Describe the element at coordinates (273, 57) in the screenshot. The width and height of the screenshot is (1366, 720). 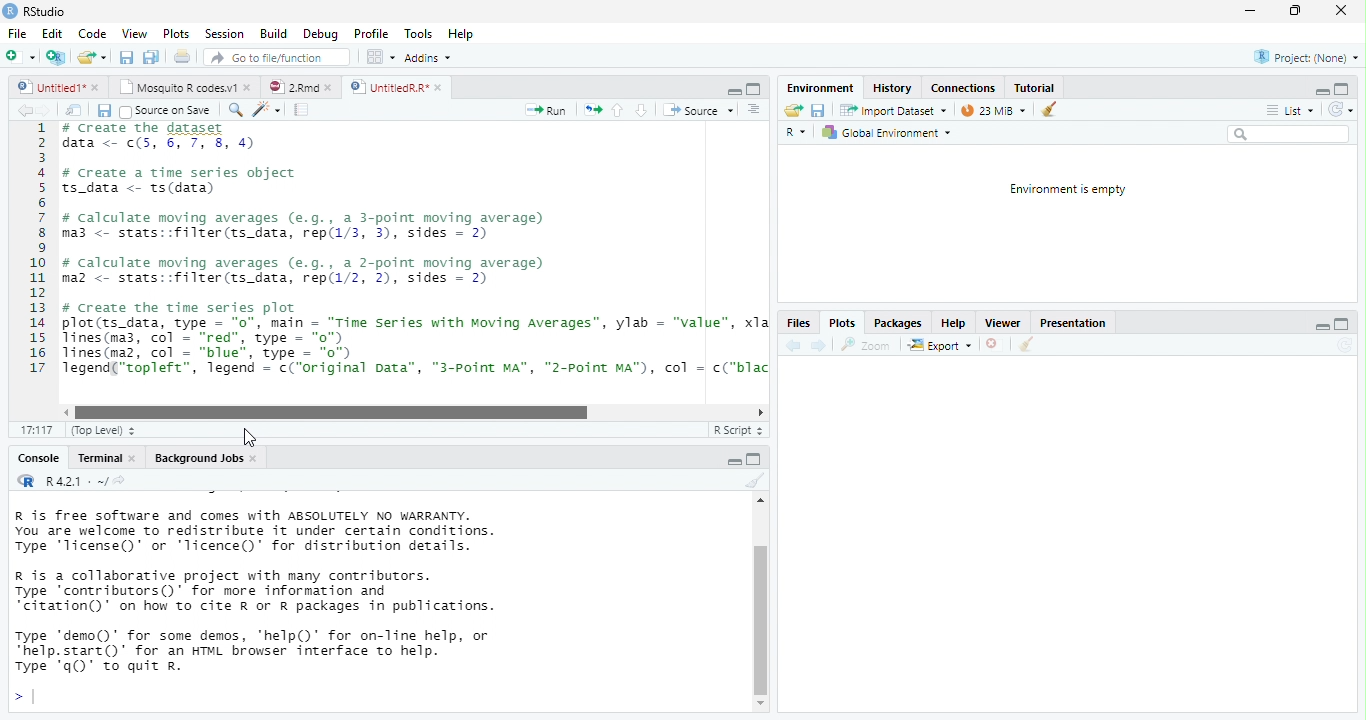
I see `Go to file/function` at that location.